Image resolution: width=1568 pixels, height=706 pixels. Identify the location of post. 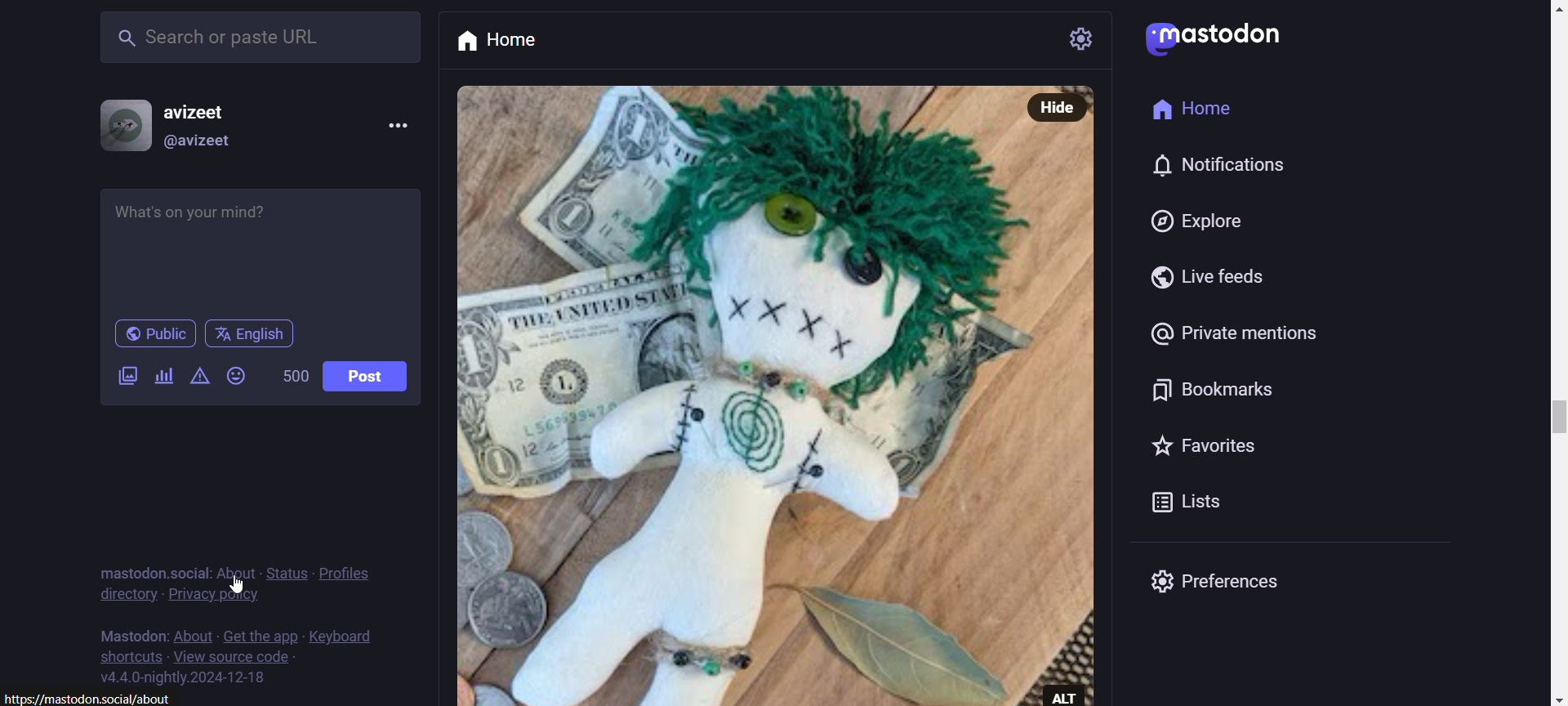
(364, 377).